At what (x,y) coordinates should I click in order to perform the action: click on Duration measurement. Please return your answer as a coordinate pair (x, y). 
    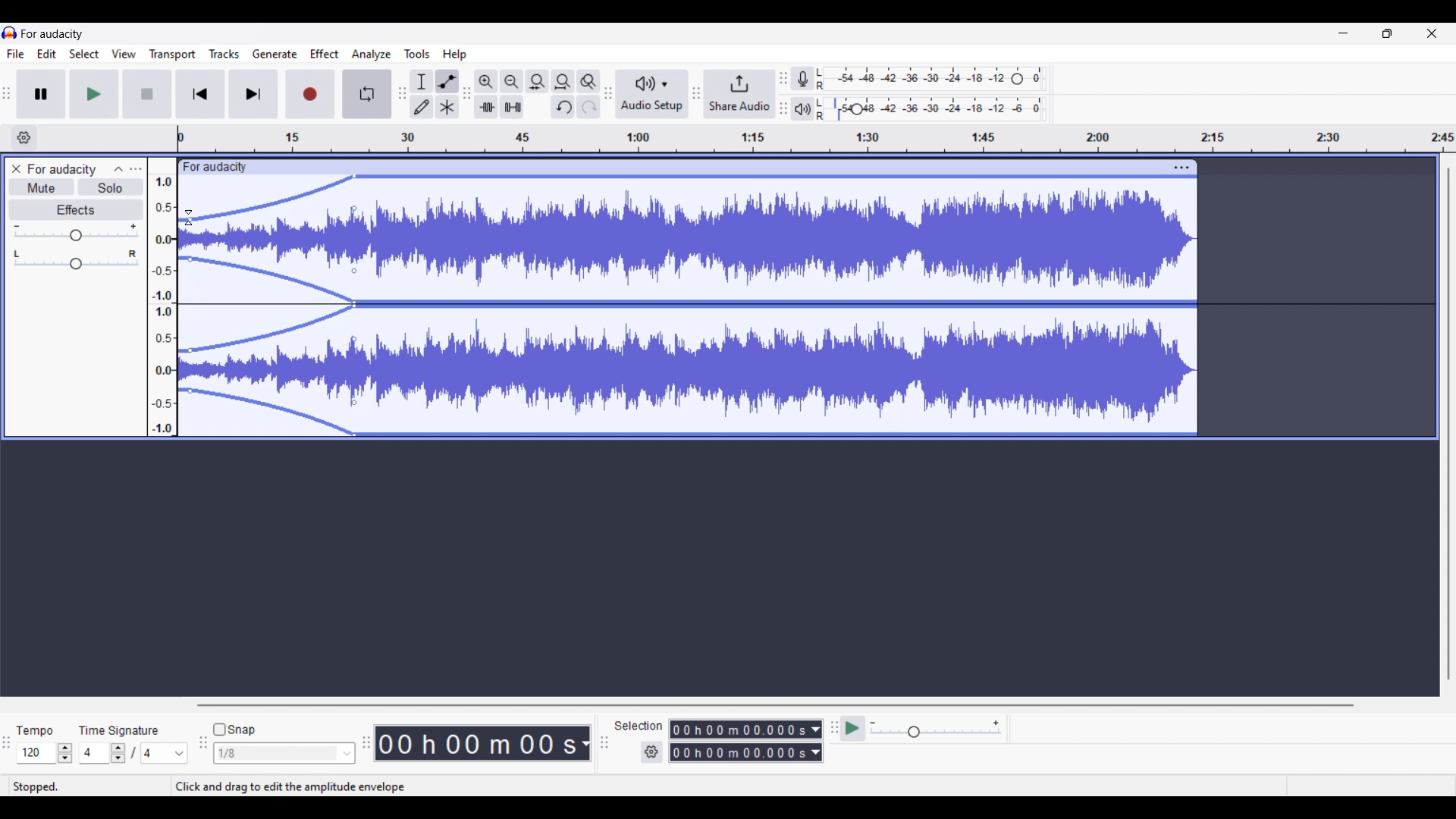
    Looking at the image, I should click on (817, 741).